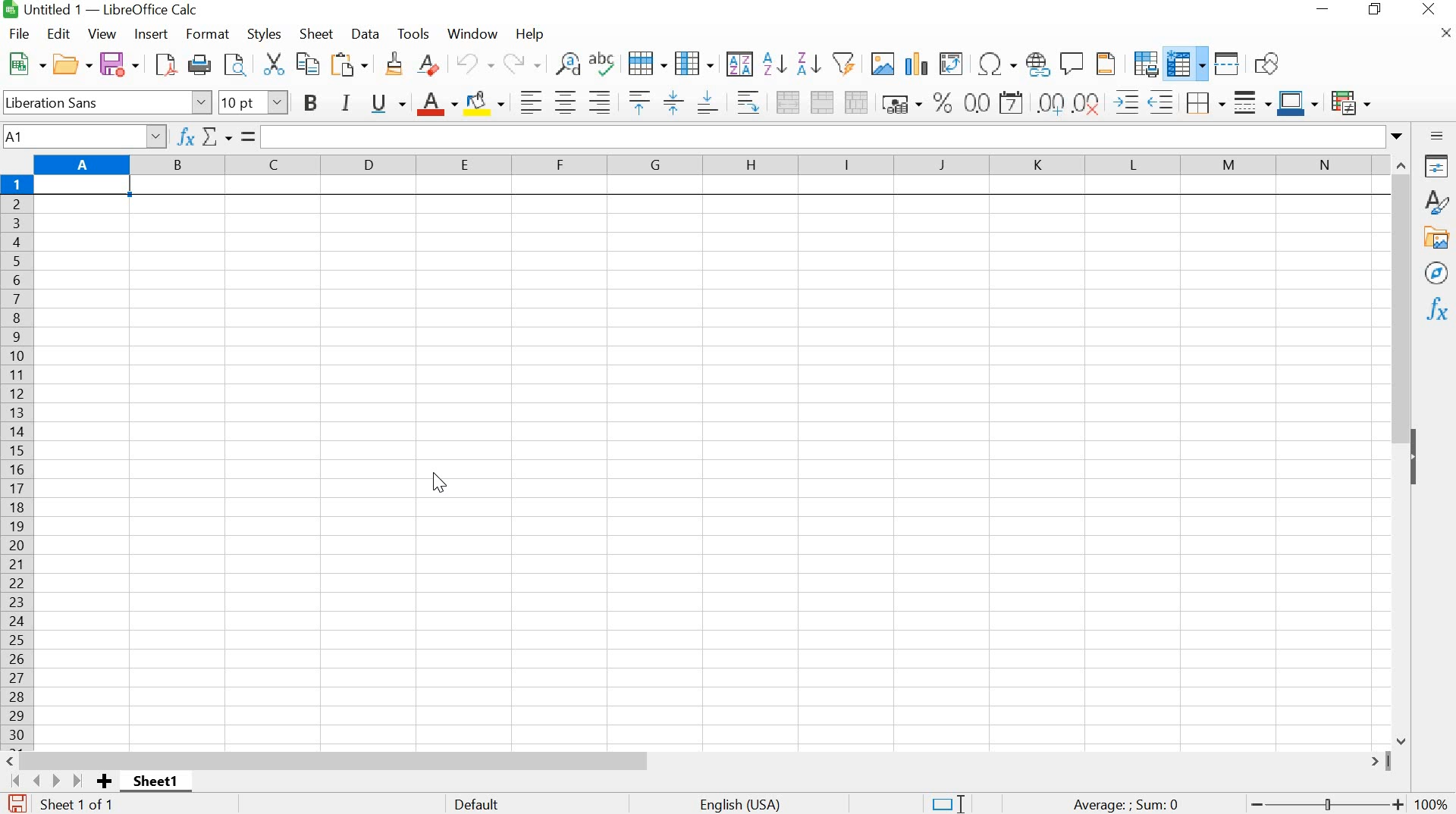 The width and height of the screenshot is (1456, 814). What do you see at coordinates (836, 136) in the screenshot?
I see `INPUT LINE` at bounding box center [836, 136].